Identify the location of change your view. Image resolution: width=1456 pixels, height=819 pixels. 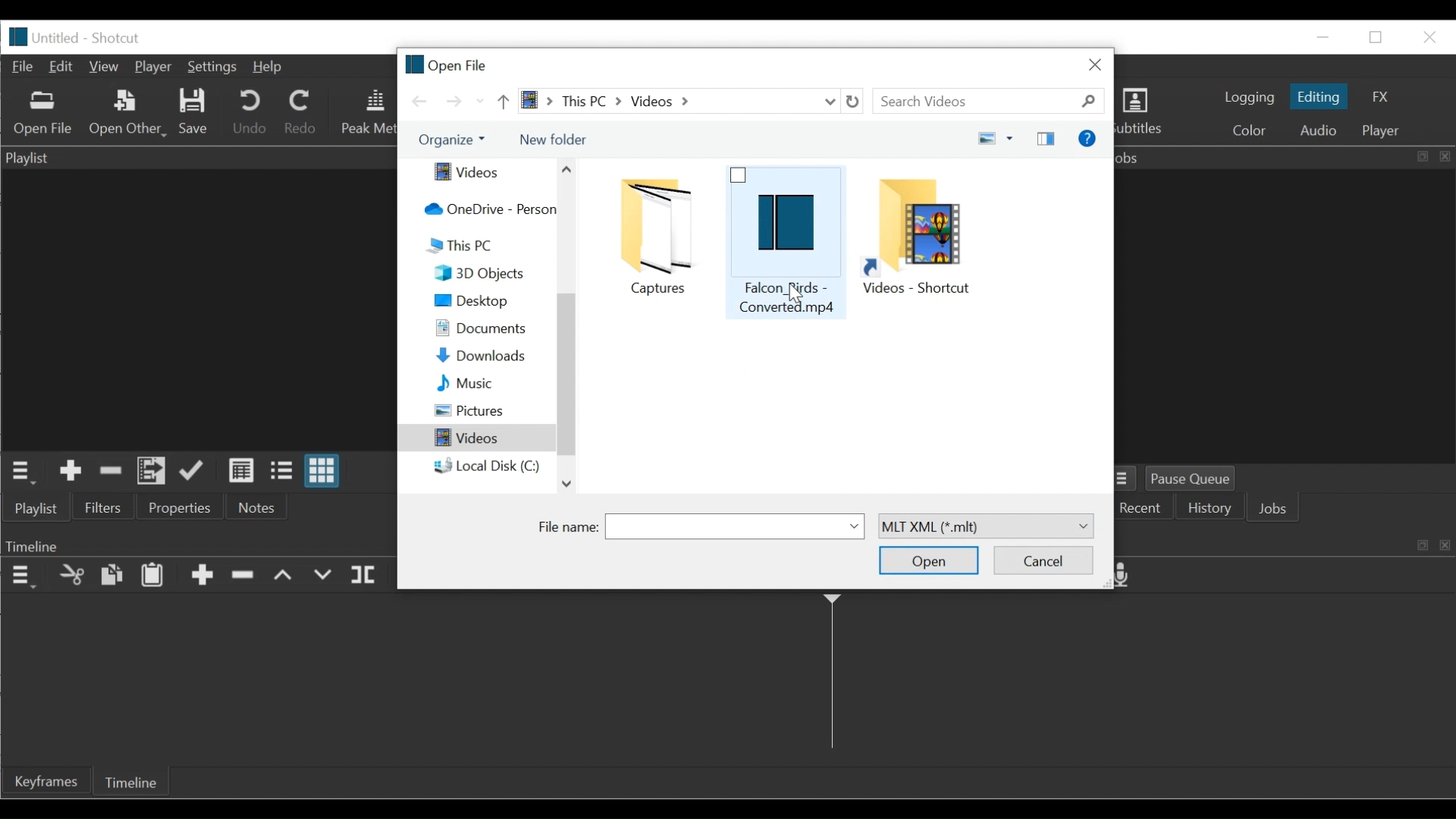
(982, 139).